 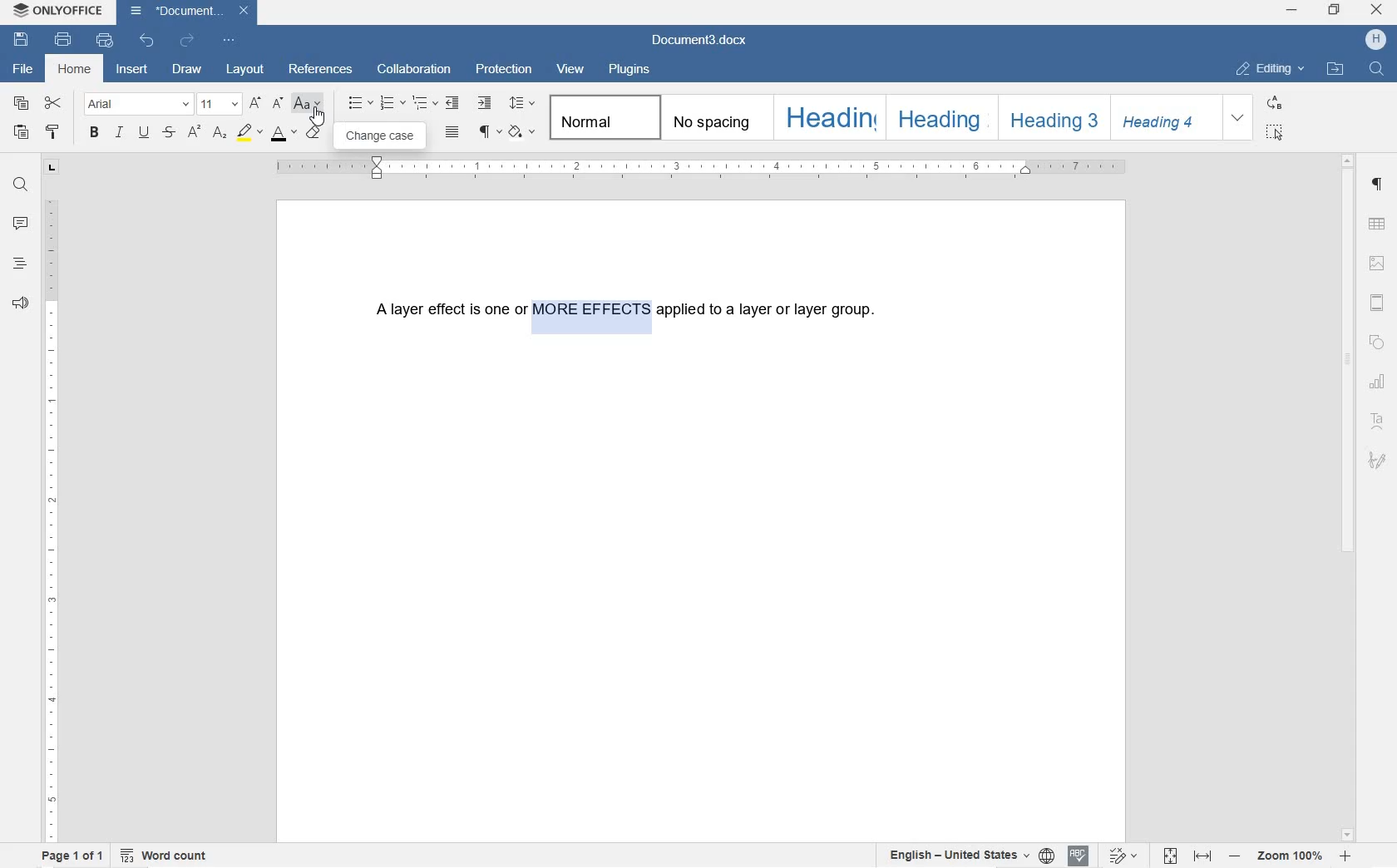 I want to click on NONPRINTING CHARACTERS, so click(x=488, y=132).